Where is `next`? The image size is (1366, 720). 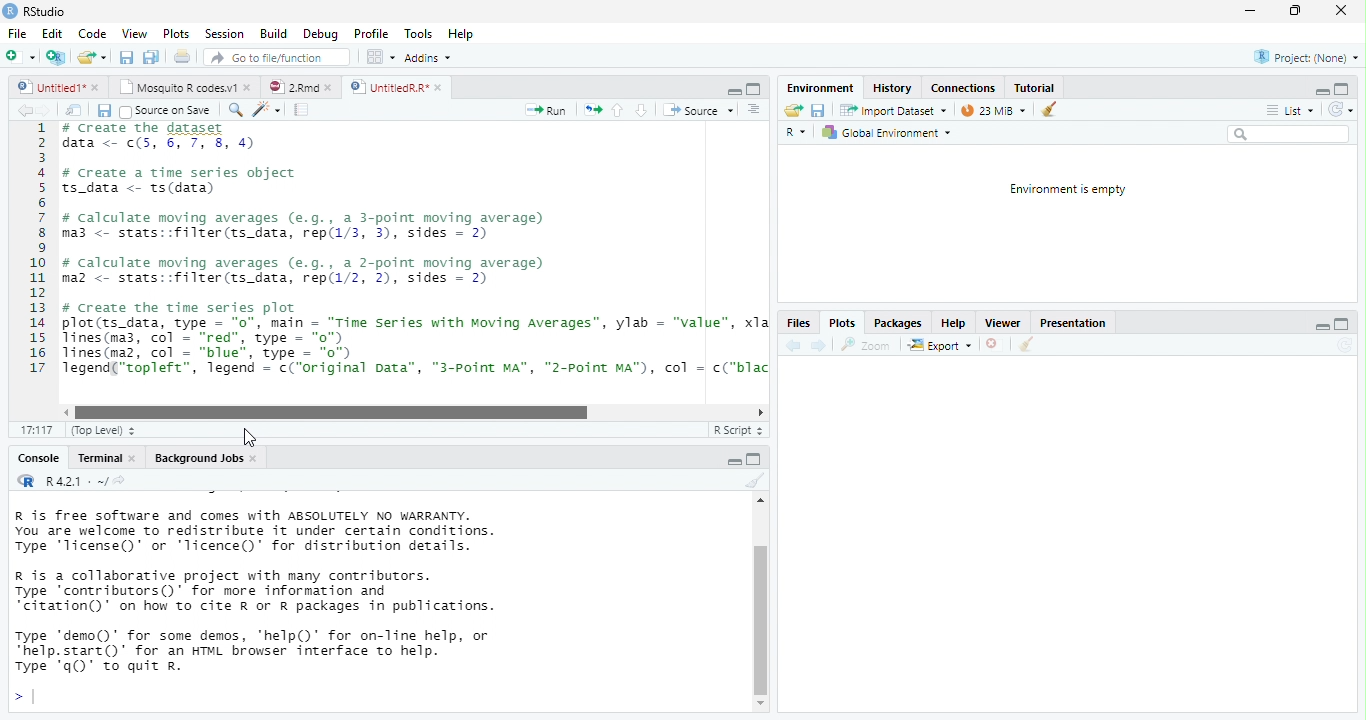
next is located at coordinates (819, 345).